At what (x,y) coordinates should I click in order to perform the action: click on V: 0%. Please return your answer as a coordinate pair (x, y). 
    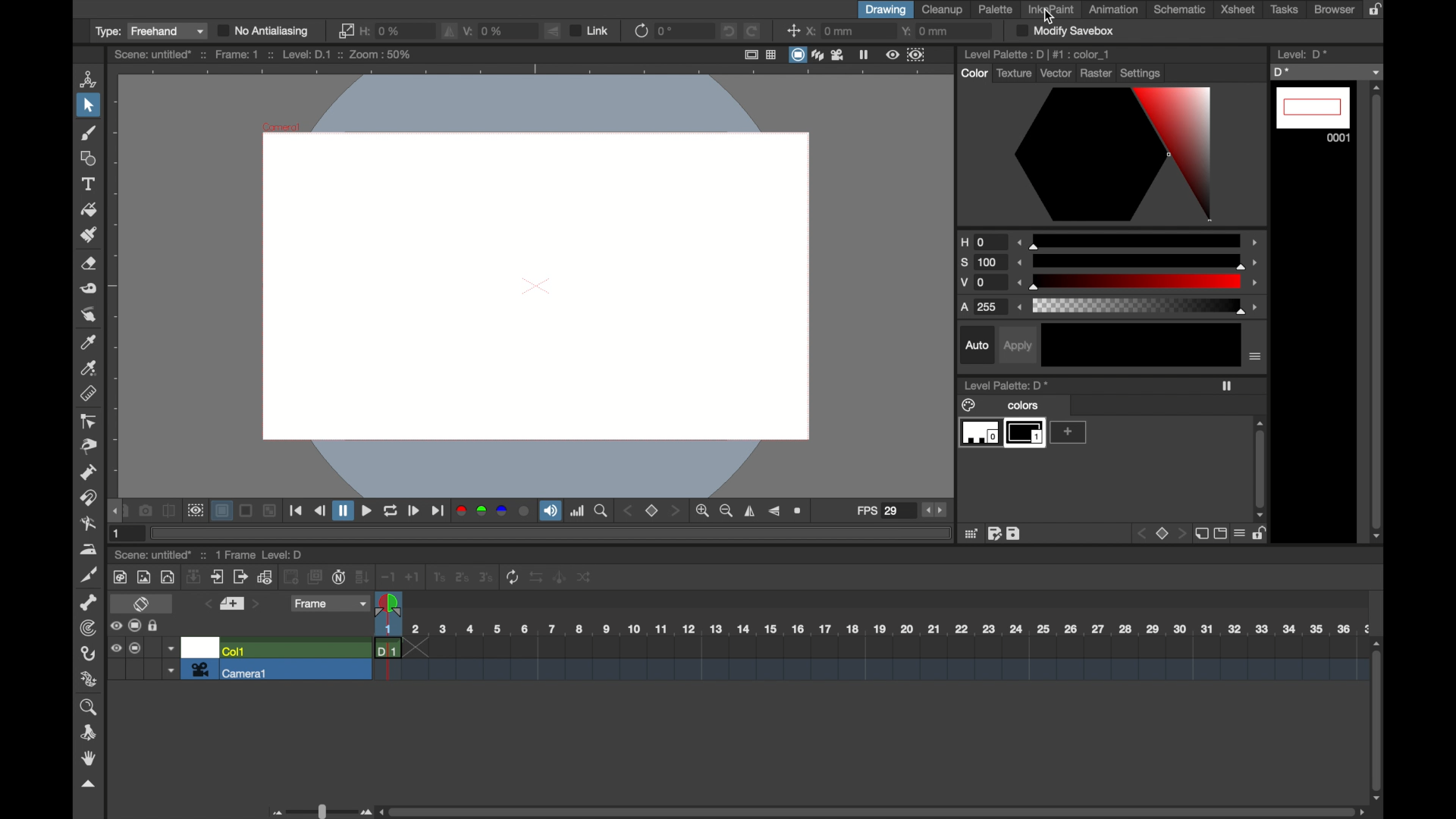
    Looking at the image, I should click on (485, 30).